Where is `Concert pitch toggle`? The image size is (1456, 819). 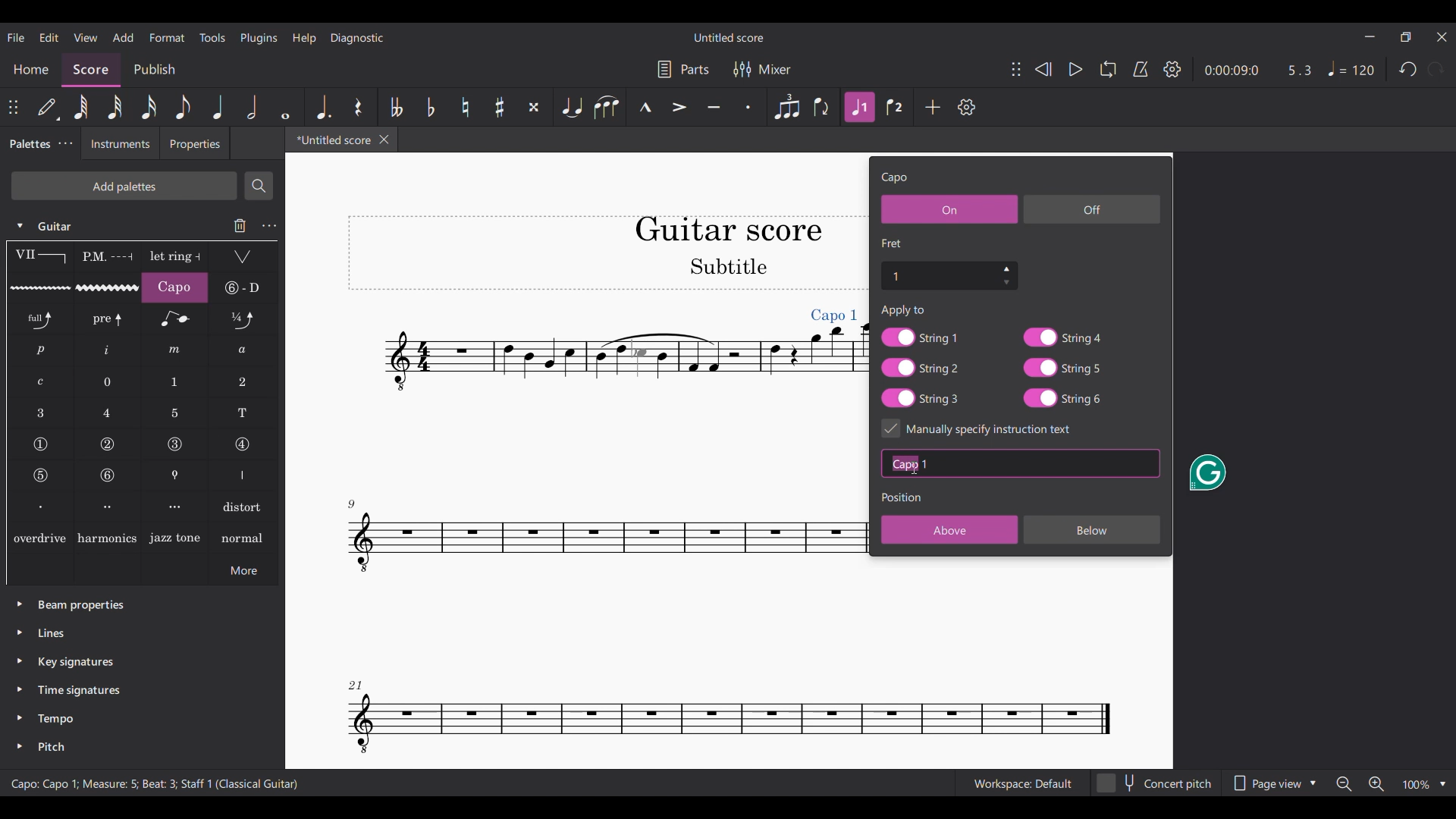
Concert pitch toggle is located at coordinates (1156, 783).